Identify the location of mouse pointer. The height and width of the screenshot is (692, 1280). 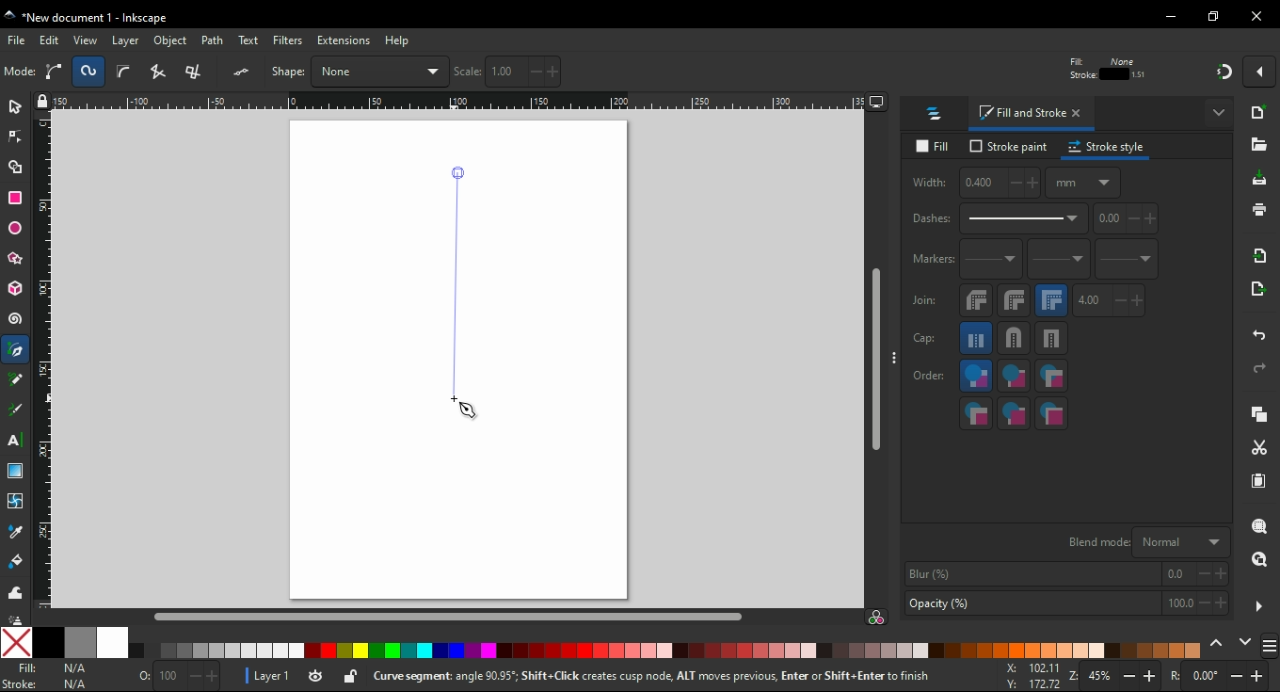
(472, 412).